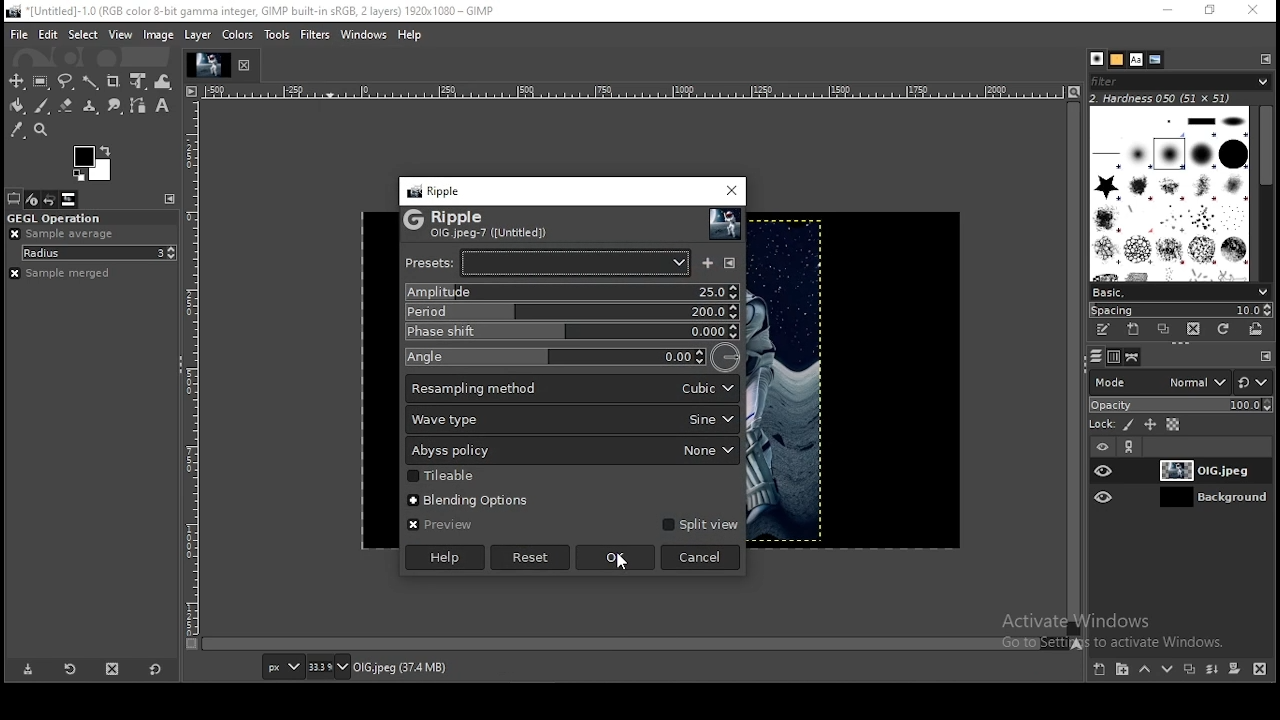 This screenshot has width=1280, height=720. Describe the element at coordinates (91, 82) in the screenshot. I see `` at that location.